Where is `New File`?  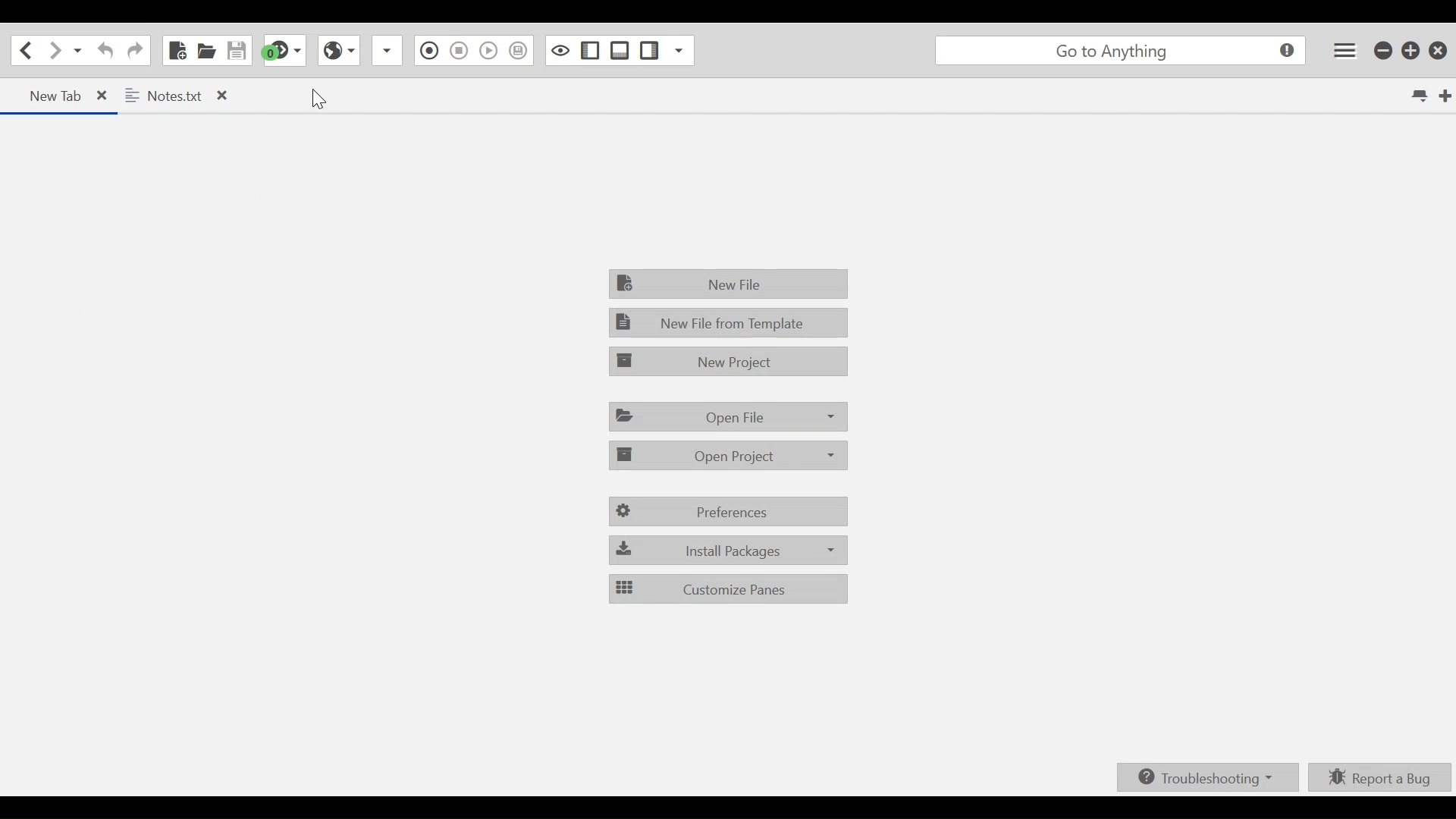
New File is located at coordinates (726, 283).